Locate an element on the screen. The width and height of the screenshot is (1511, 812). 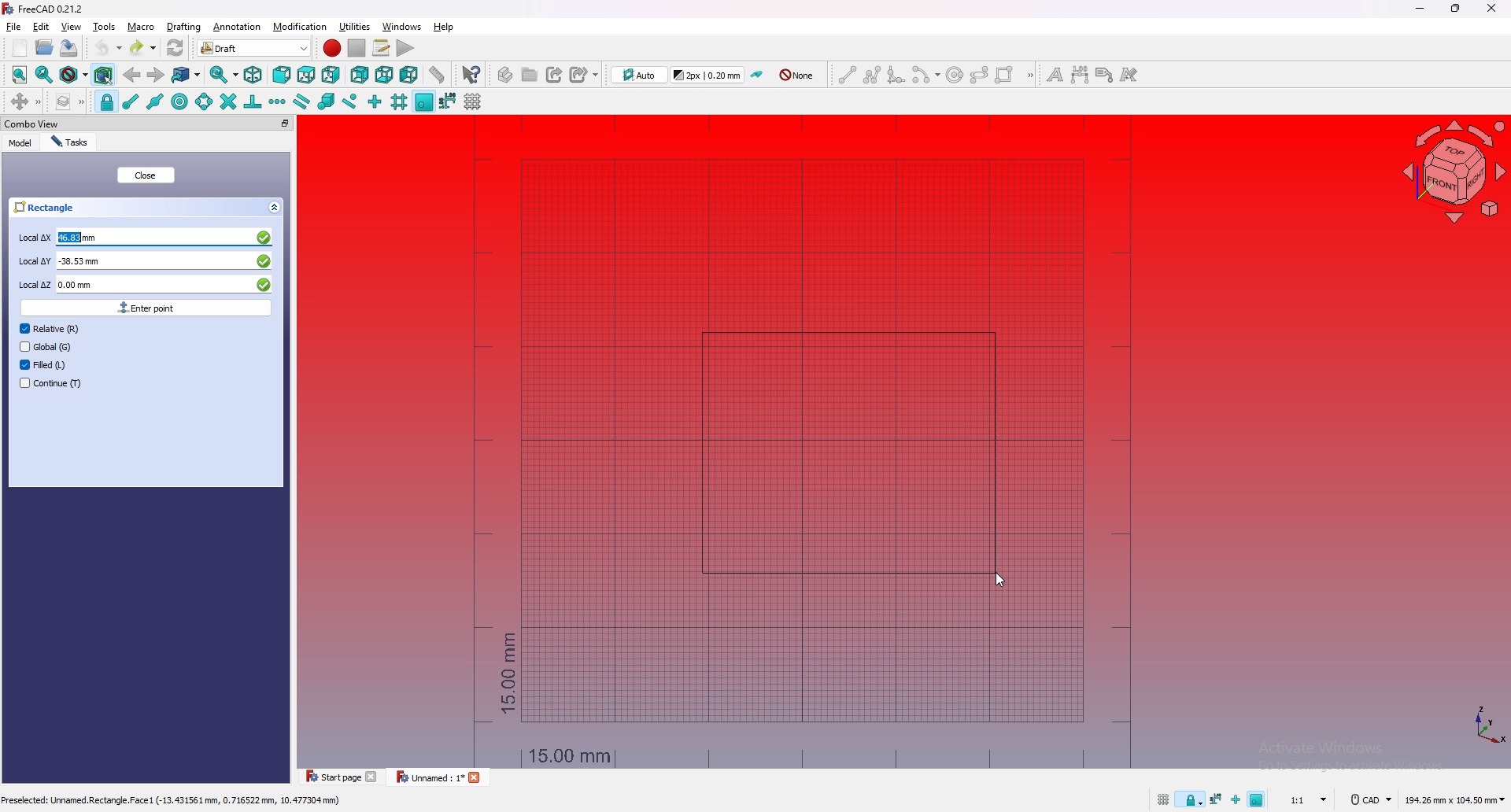
drafting is located at coordinates (185, 27).